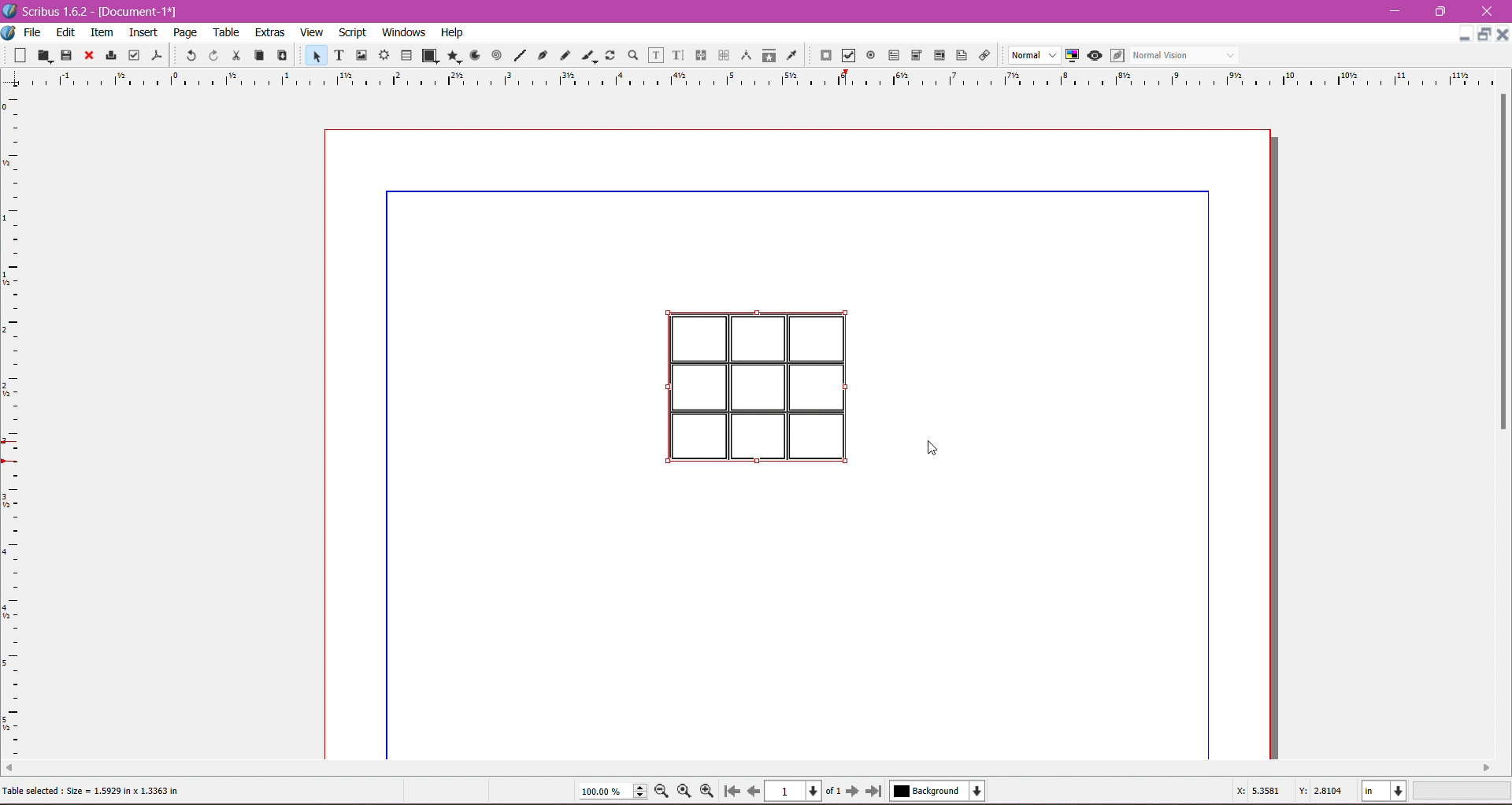  Describe the element at coordinates (628, 54) in the screenshot. I see `Zoom in or out` at that location.